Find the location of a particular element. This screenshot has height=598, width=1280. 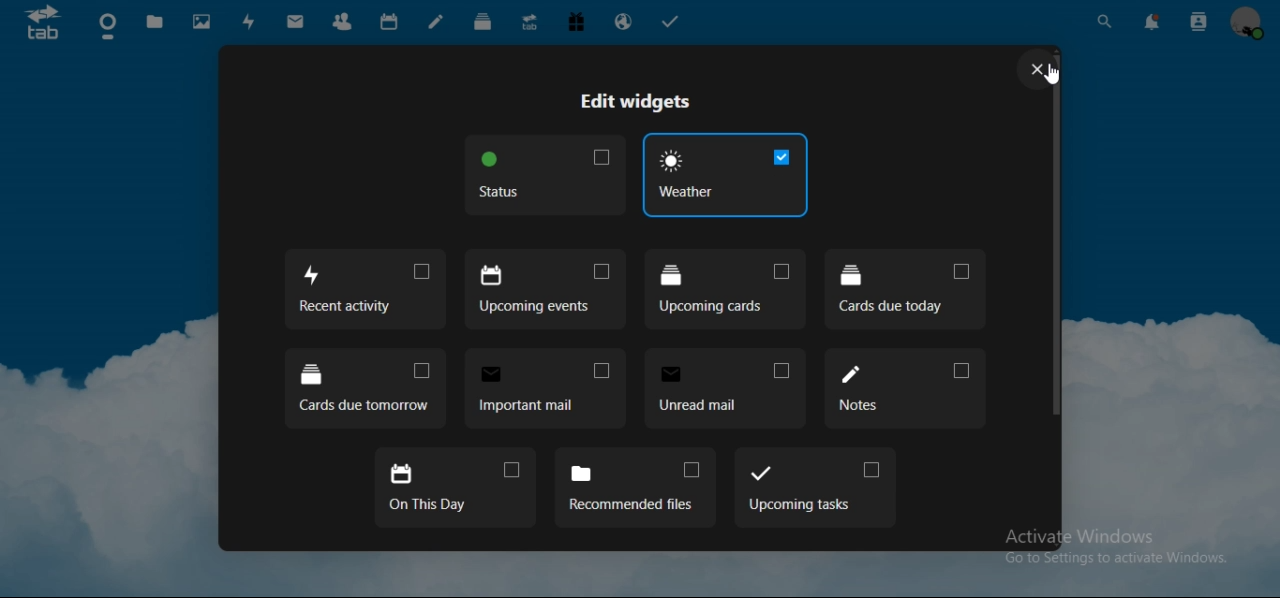

unread mail is located at coordinates (727, 391).